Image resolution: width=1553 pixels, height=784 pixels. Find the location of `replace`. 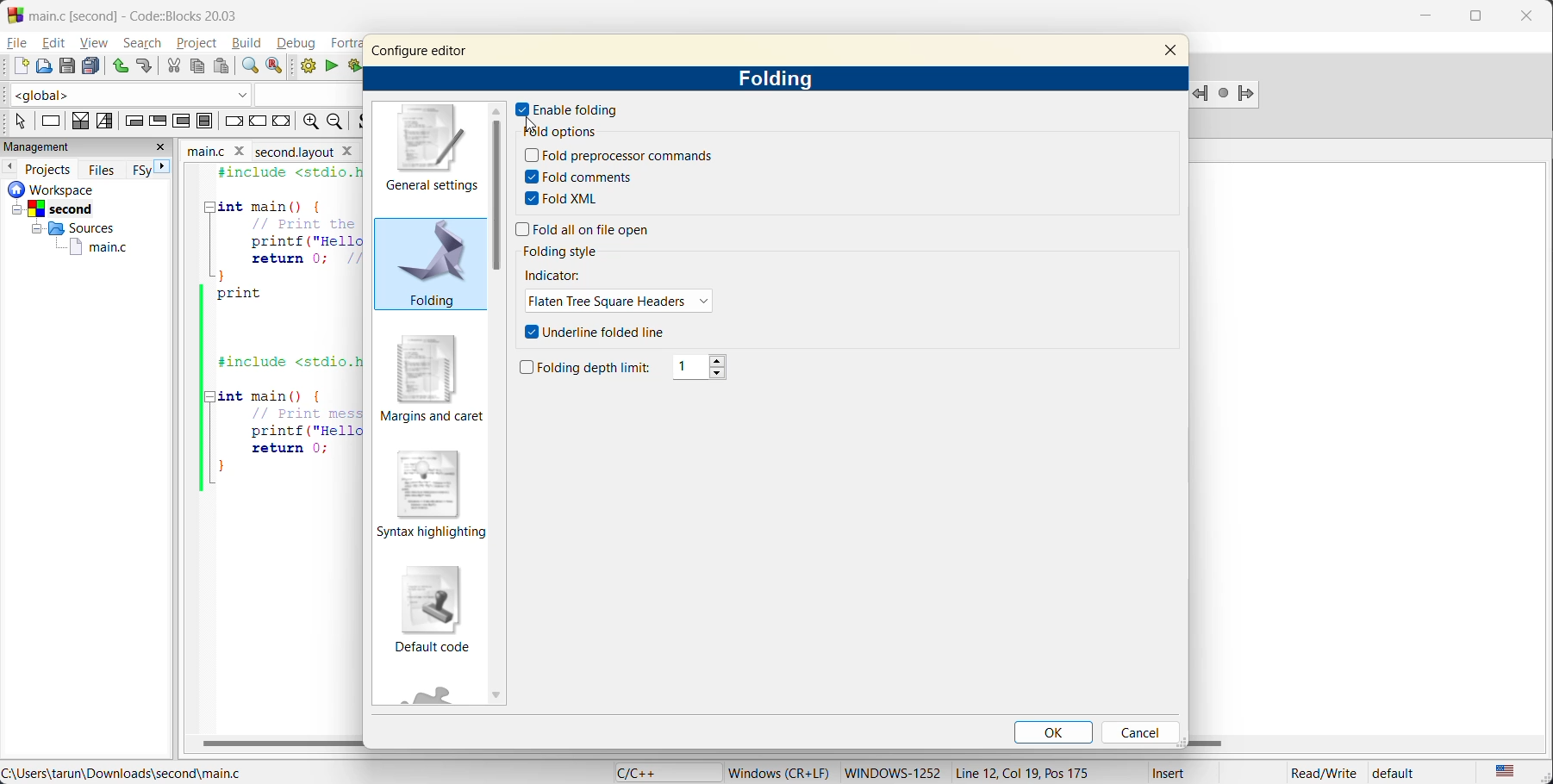

replace is located at coordinates (275, 65).